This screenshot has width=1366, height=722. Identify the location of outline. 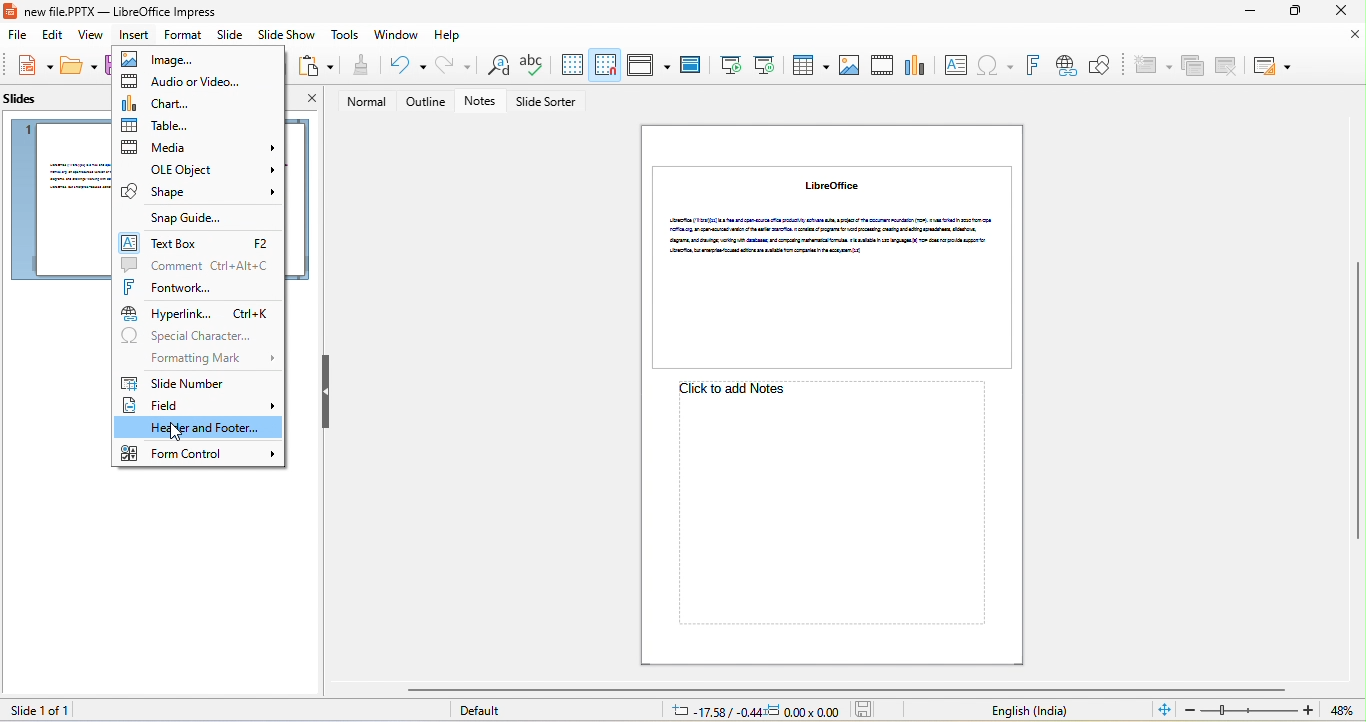
(426, 102).